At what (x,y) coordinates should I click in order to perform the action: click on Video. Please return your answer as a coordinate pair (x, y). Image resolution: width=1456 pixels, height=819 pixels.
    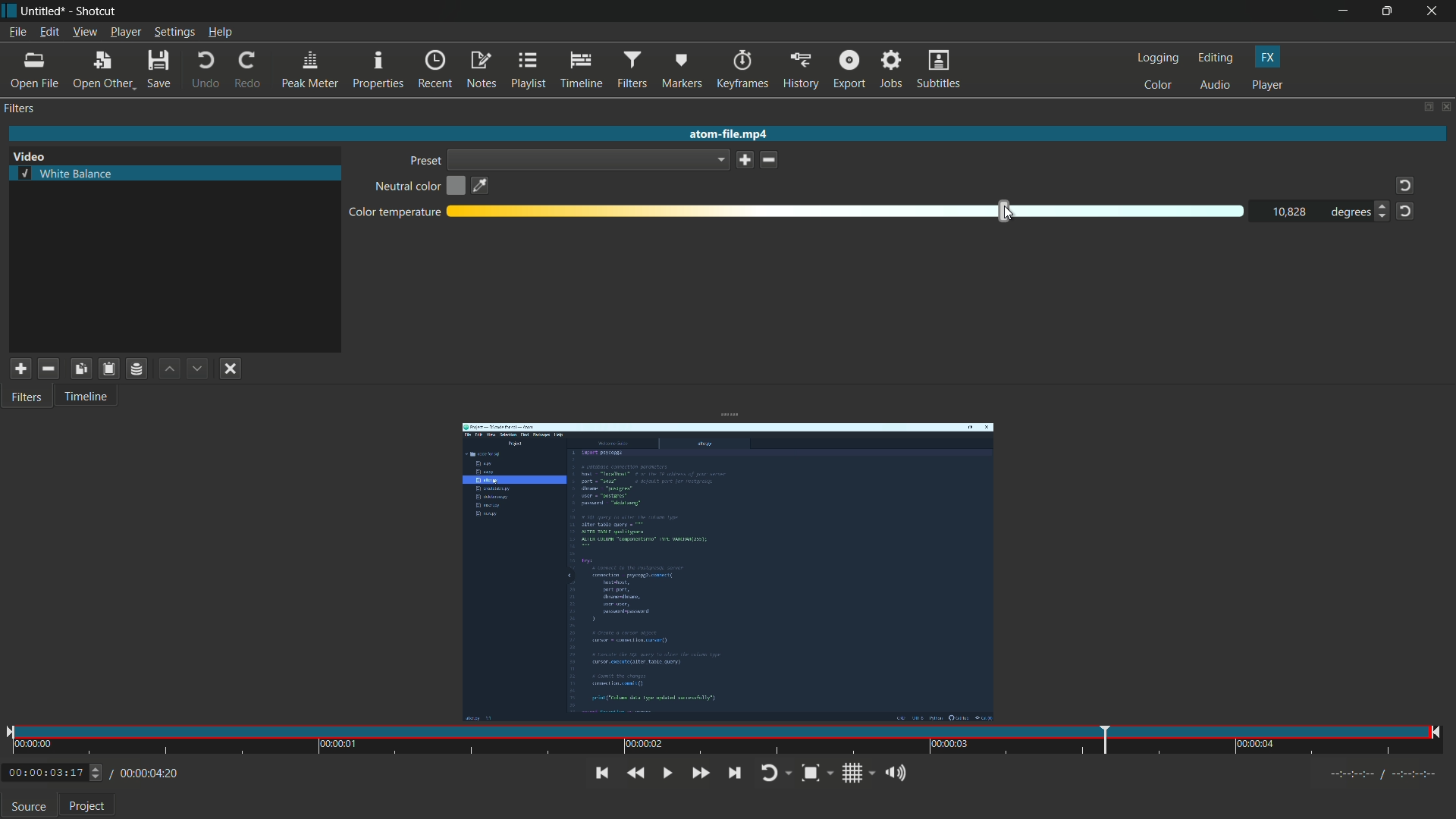
    Looking at the image, I should click on (33, 154).